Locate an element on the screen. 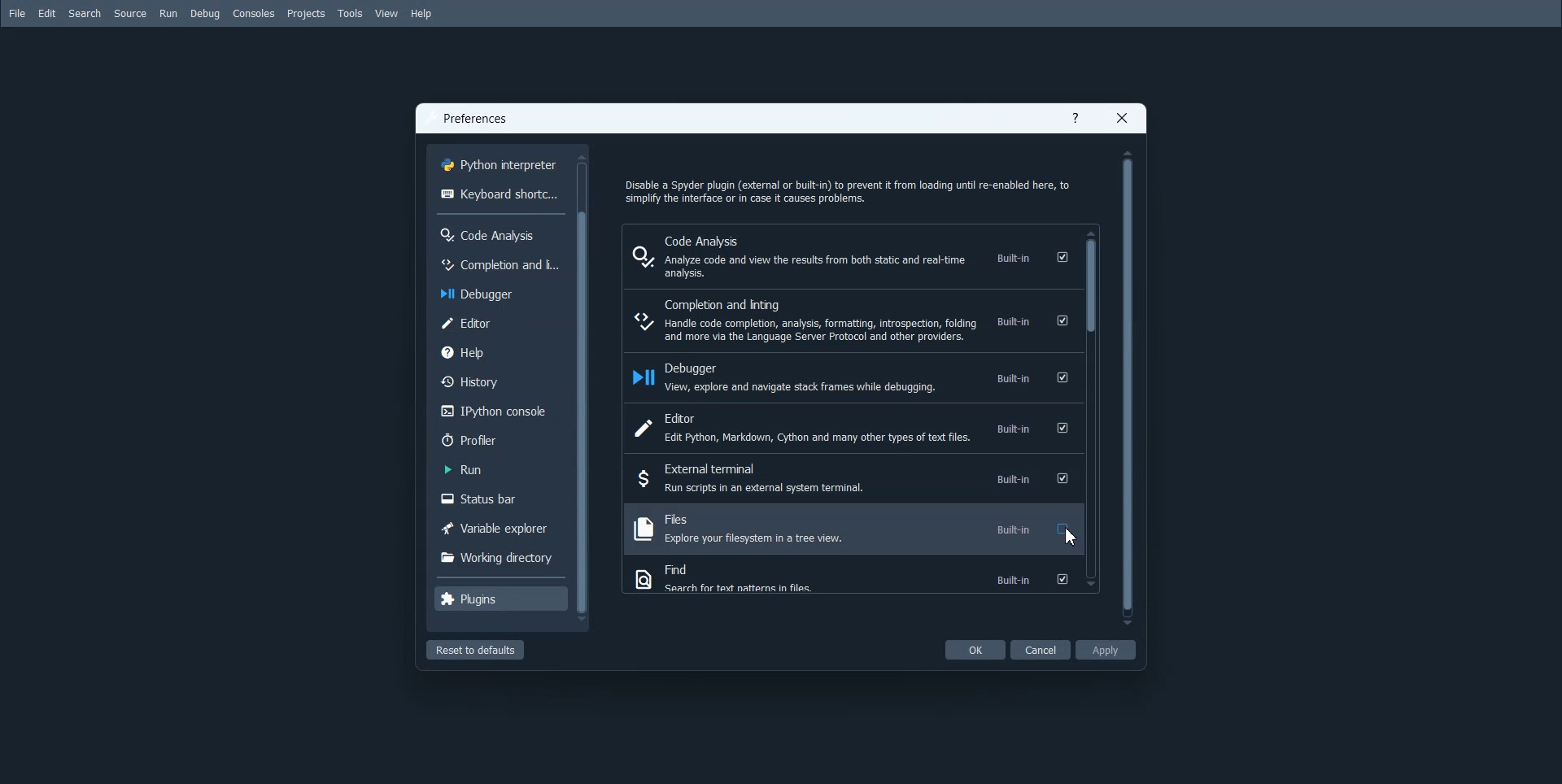 The image size is (1562, 784). Python interpreter is located at coordinates (500, 163).